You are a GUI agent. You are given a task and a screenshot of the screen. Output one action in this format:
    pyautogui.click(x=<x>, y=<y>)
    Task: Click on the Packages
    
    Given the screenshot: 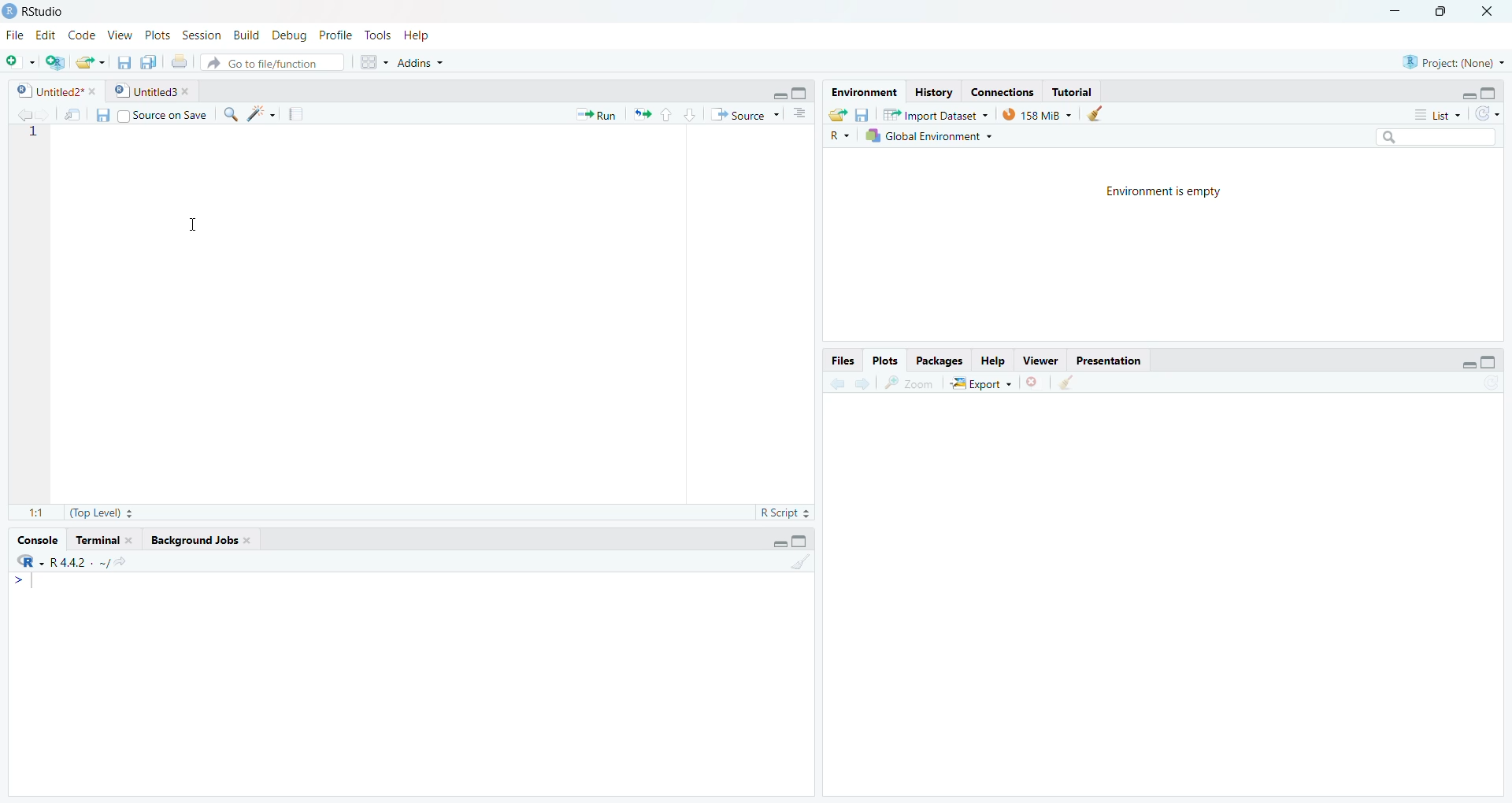 What is the action you would take?
    pyautogui.click(x=937, y=360)
    